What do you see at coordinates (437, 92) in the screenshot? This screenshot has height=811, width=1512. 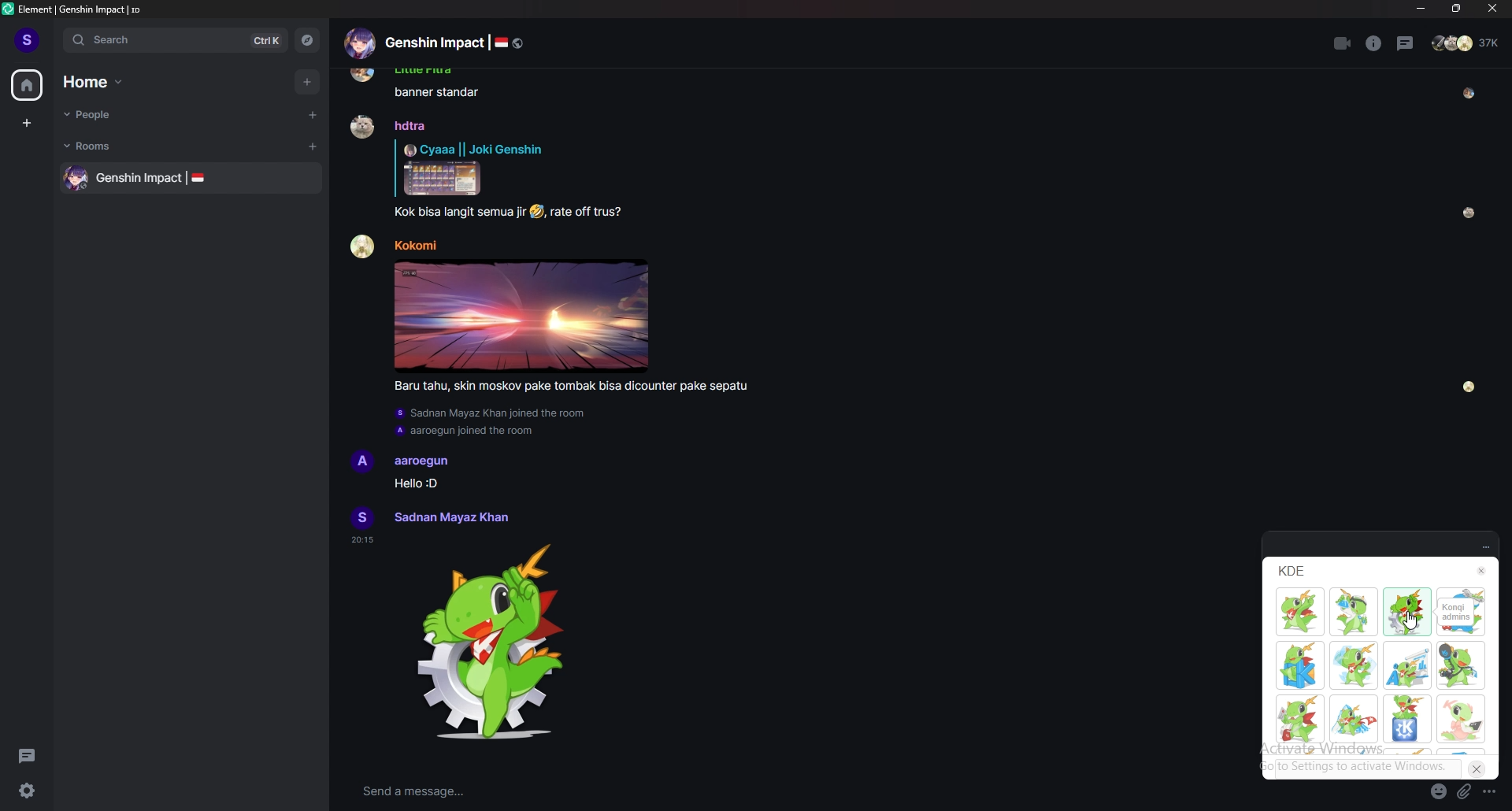 I see `banner standar` at bounding box center [437, 92].